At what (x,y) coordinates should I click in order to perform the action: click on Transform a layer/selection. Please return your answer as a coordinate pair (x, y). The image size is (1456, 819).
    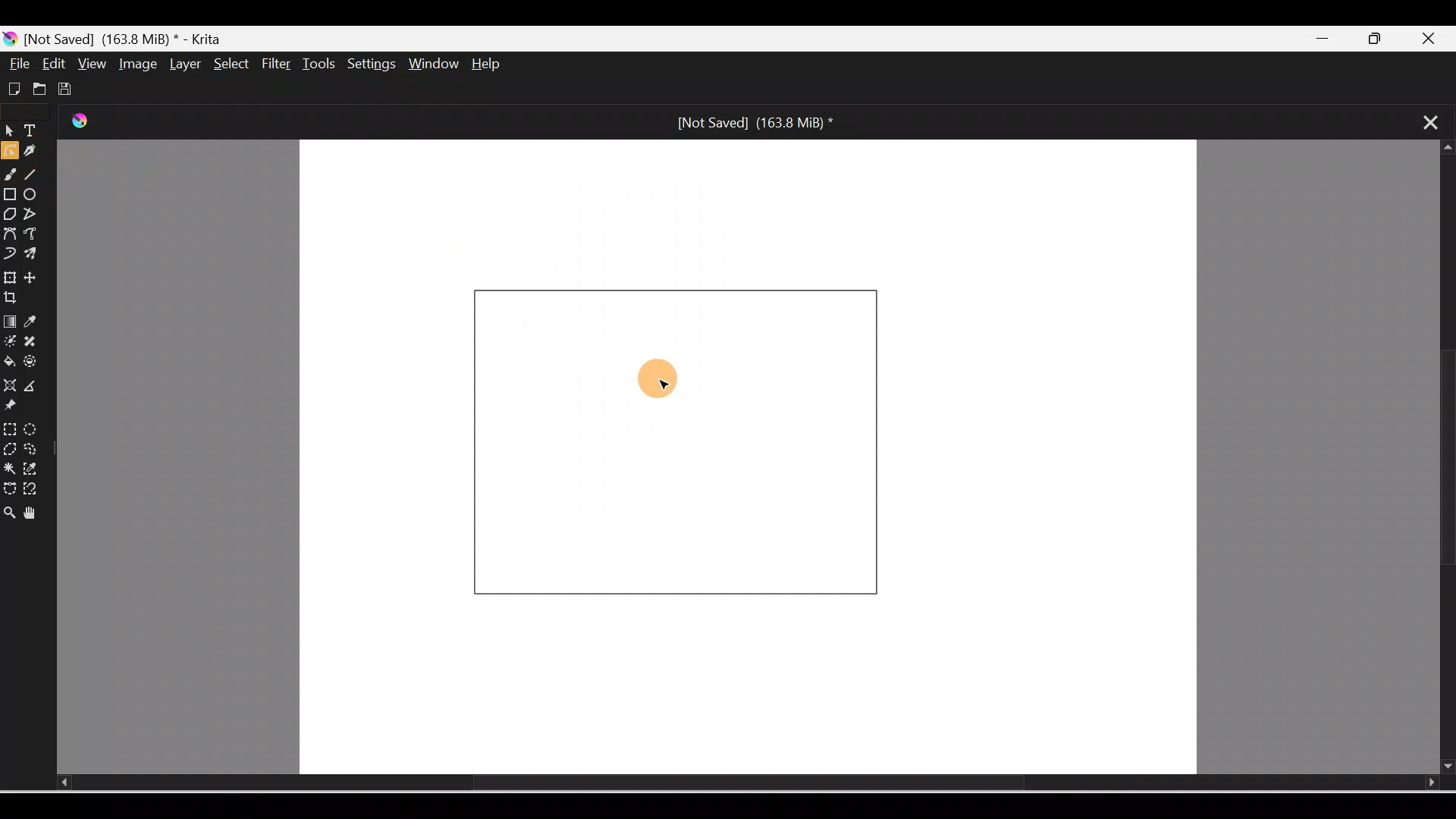
    Looking at the image, I should click on (10, 275).